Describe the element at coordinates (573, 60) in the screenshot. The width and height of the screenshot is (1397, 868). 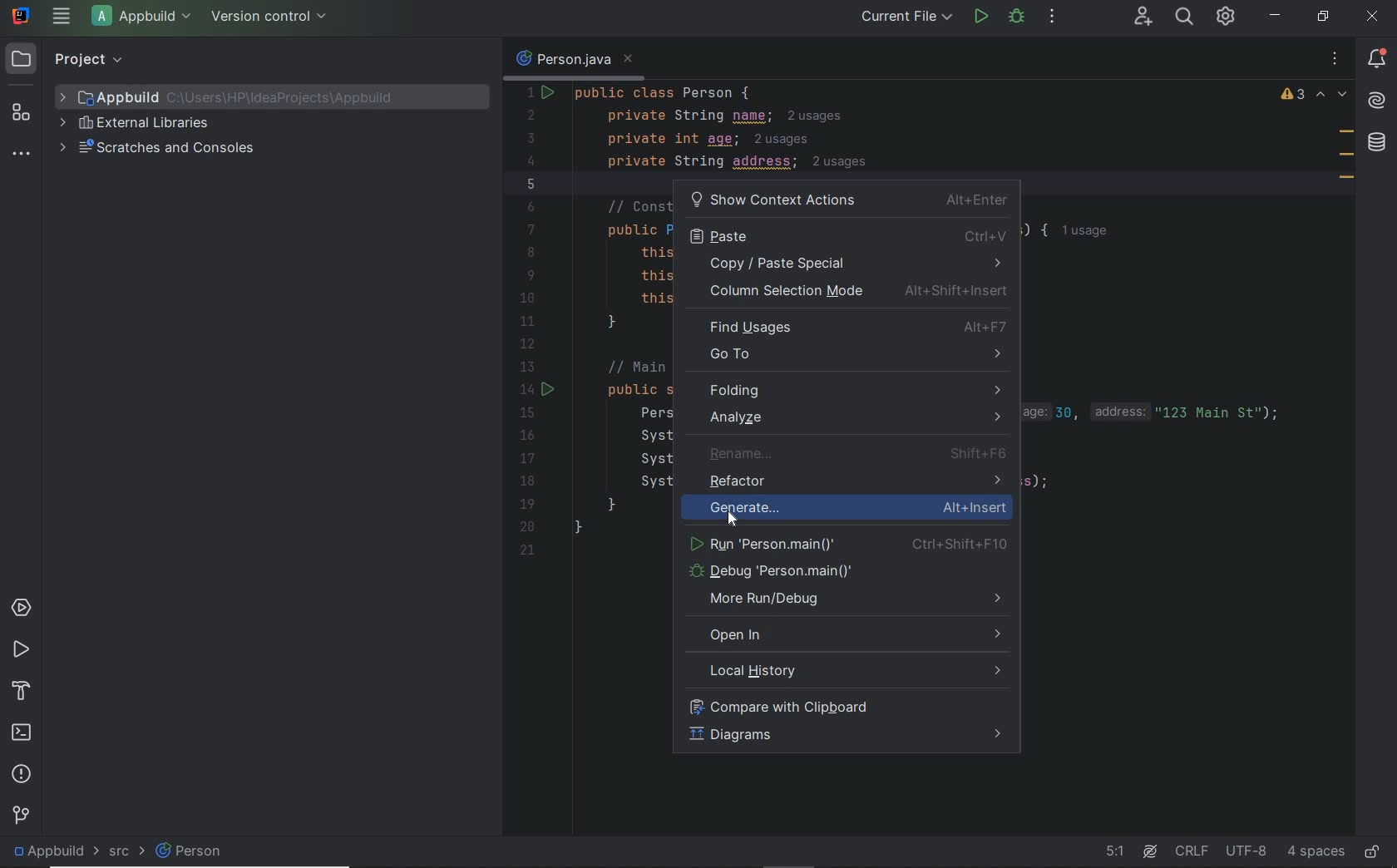
I see `person.java` at that location.